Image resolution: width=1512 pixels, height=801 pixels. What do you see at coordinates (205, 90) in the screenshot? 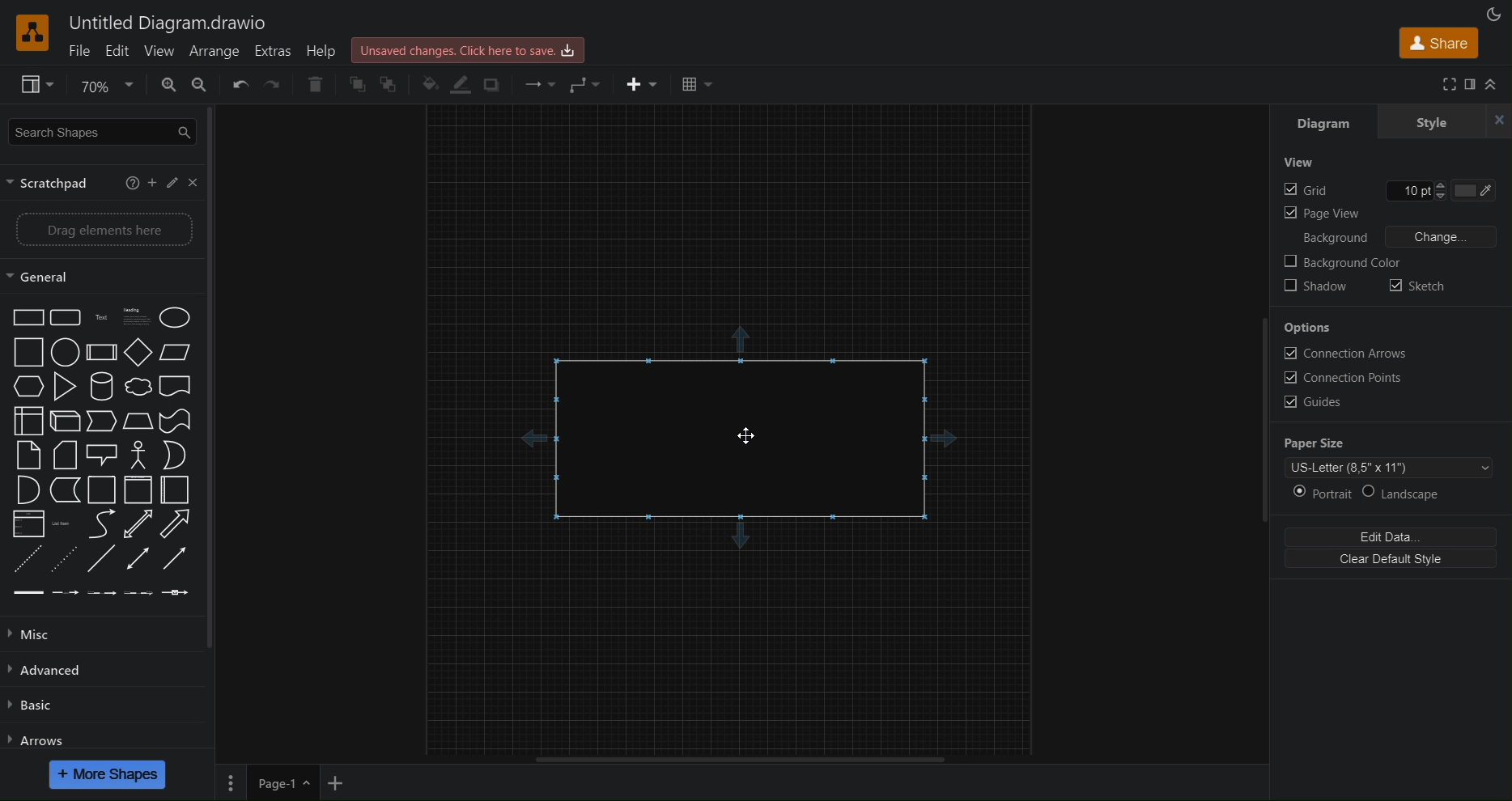
I see `Zoom Out` at bounding box center [205, 90].